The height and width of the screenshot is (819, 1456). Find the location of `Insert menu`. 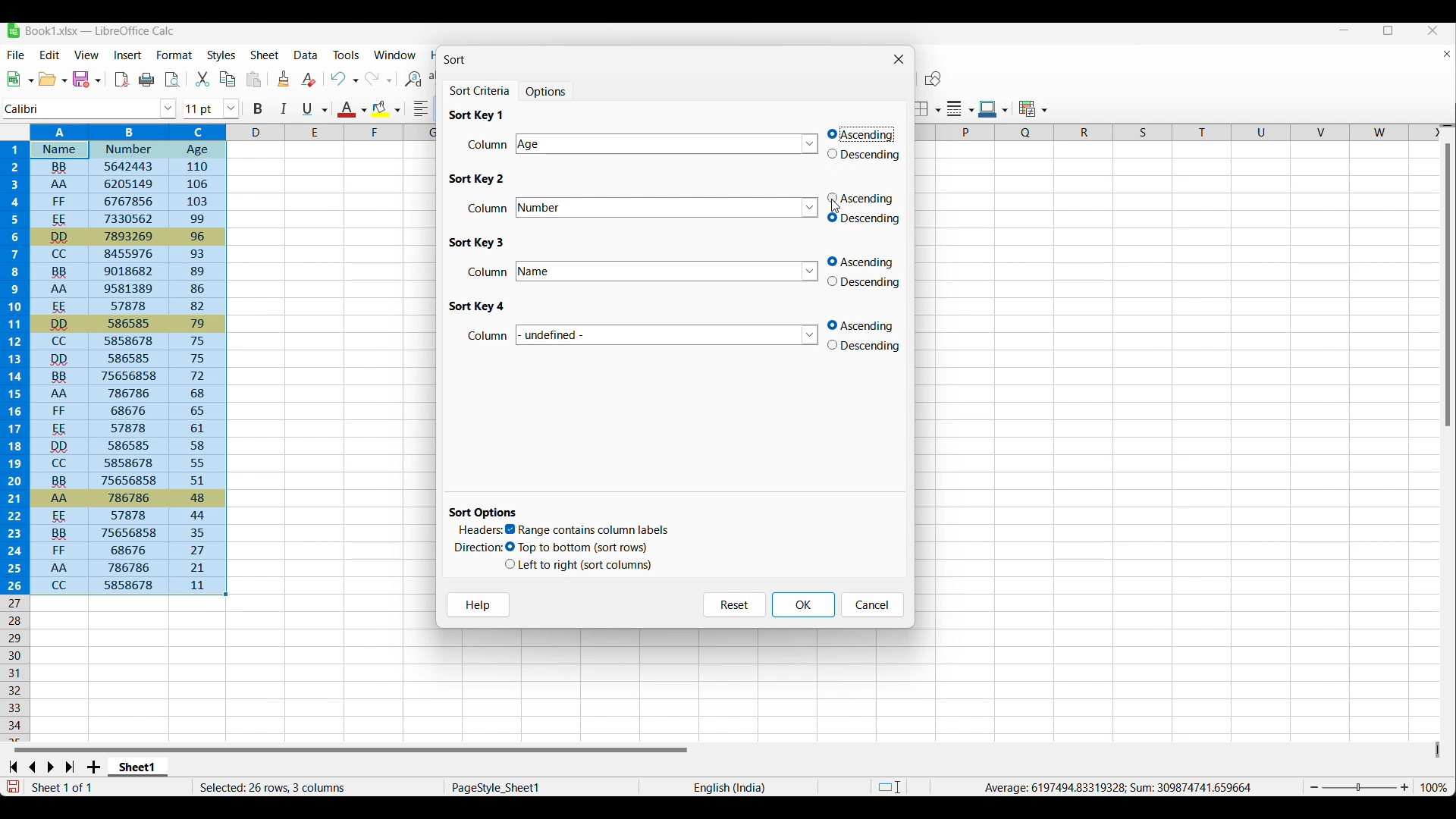

Insert menu is located at coordinates (128, 55).